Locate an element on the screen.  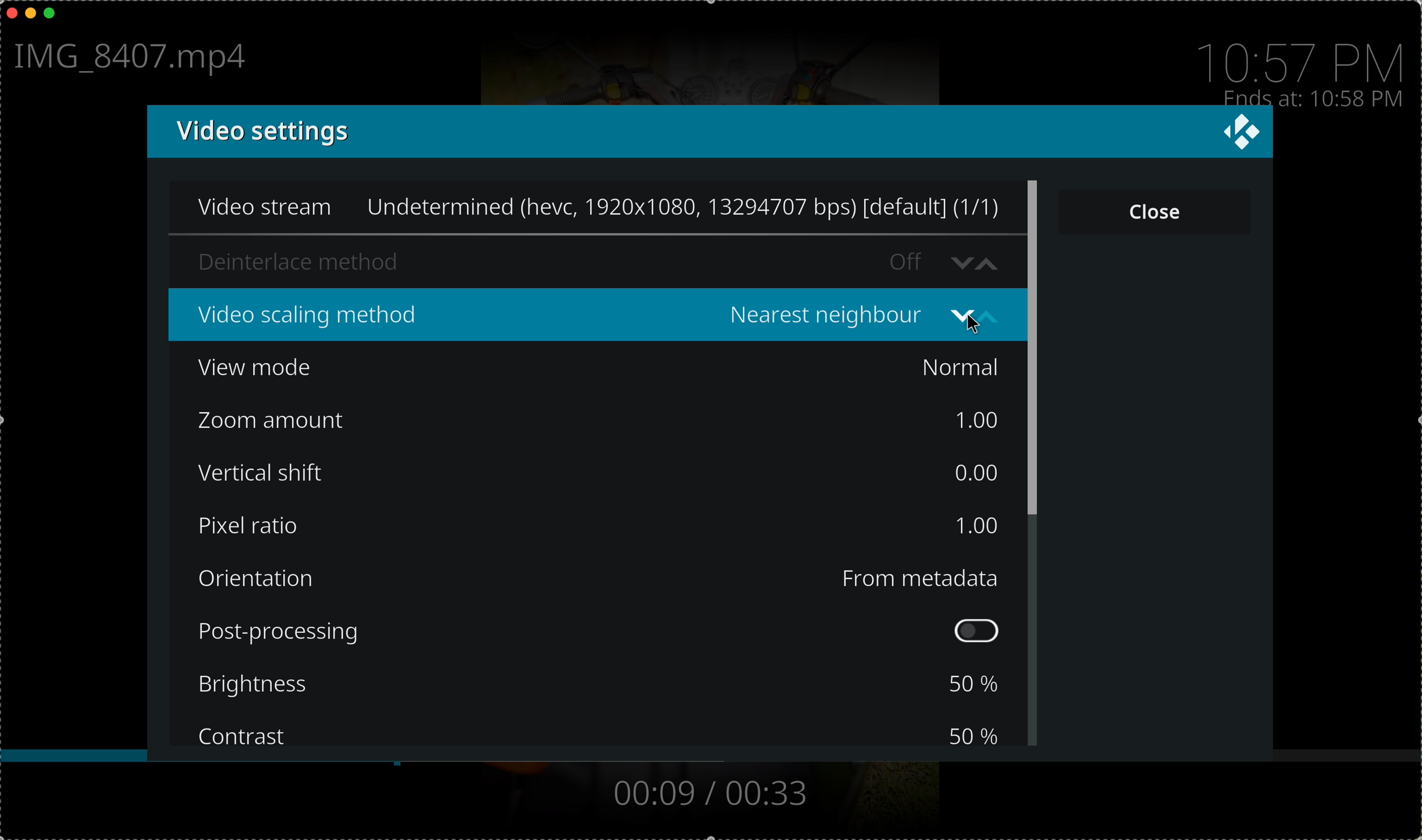
maximize  is located at coordinates (55, 14).